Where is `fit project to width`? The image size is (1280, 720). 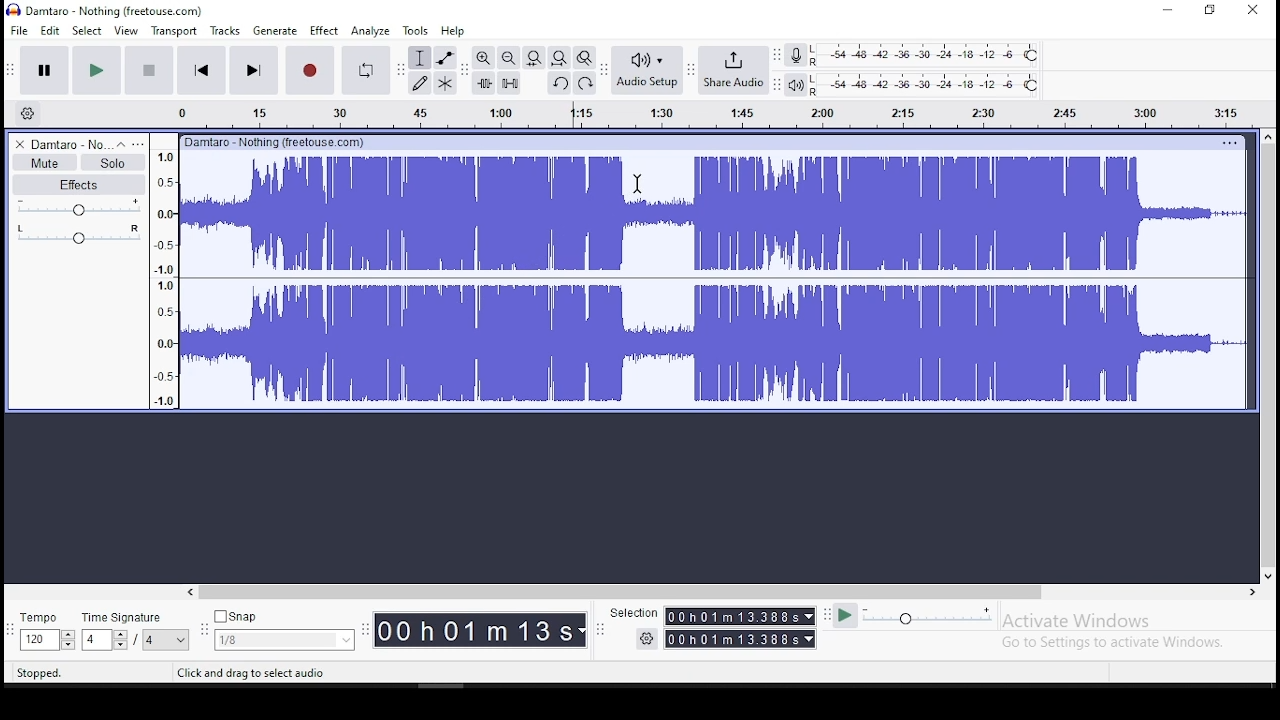 fit project to width is located at coordinates (561, 59).